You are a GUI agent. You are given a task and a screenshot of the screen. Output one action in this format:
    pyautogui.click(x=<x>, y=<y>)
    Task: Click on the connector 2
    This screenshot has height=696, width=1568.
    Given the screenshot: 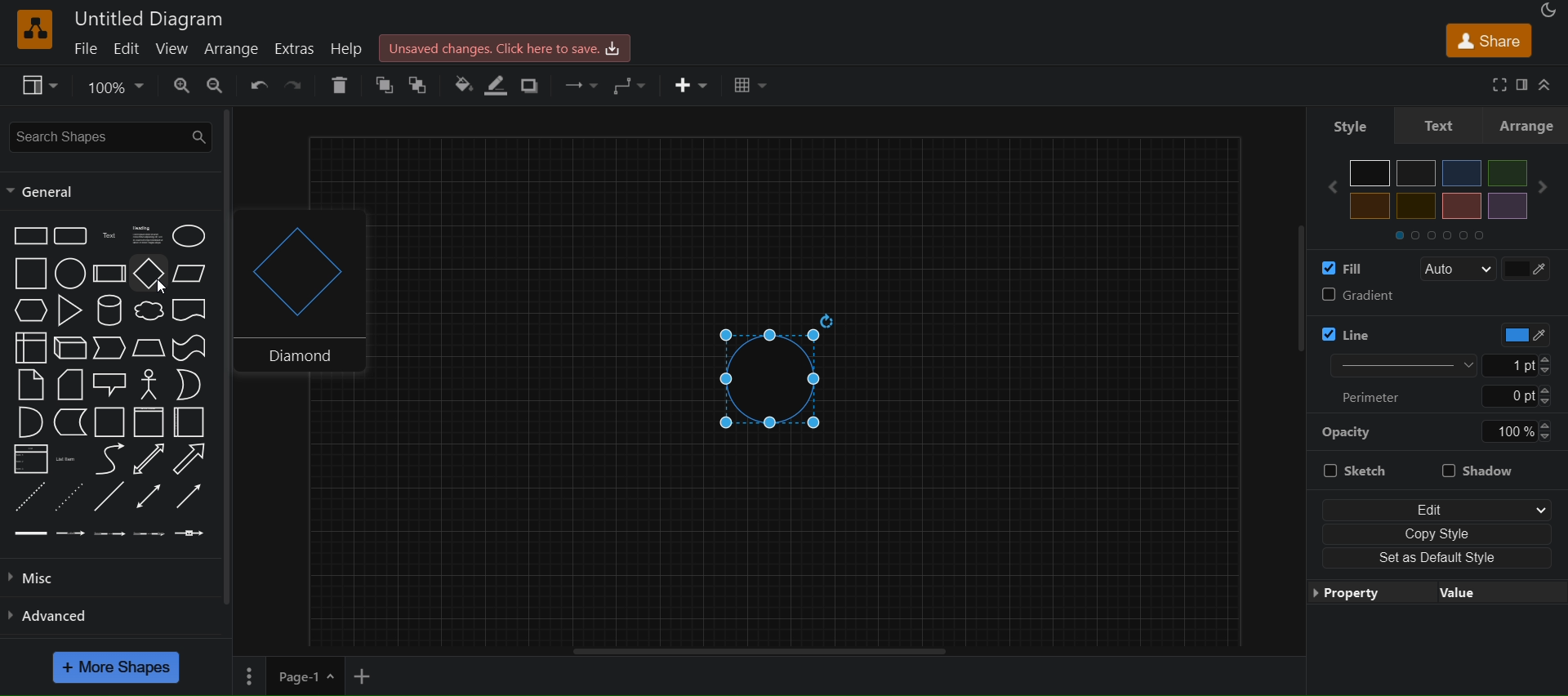 What is the action you would take?
    pyautogui.click(x=71, y=533)
    